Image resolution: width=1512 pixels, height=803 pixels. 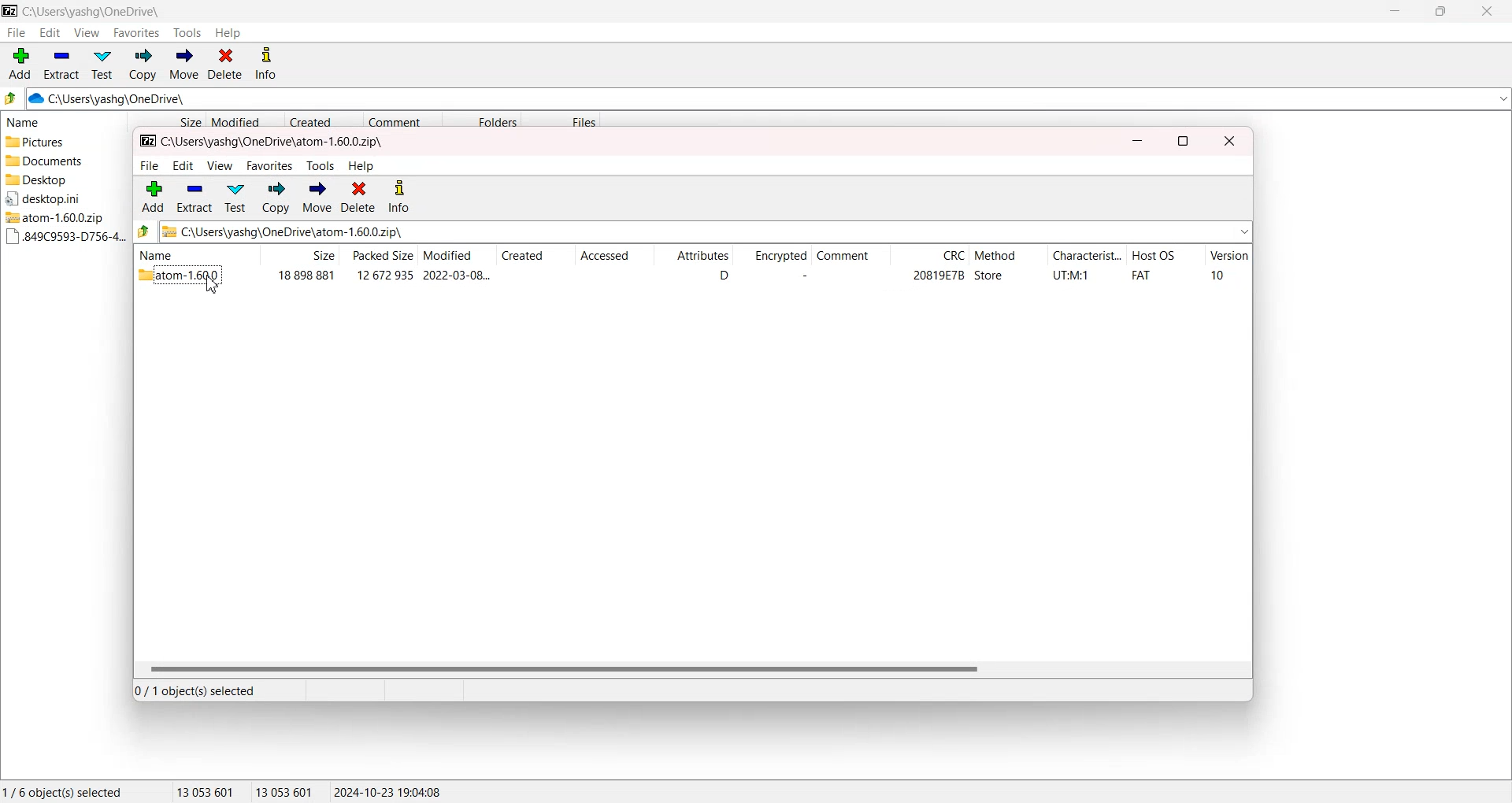 What do you see at coordinates (50, 32) in the screenshot?
I see `Edit` at bounding box center [50, 32].